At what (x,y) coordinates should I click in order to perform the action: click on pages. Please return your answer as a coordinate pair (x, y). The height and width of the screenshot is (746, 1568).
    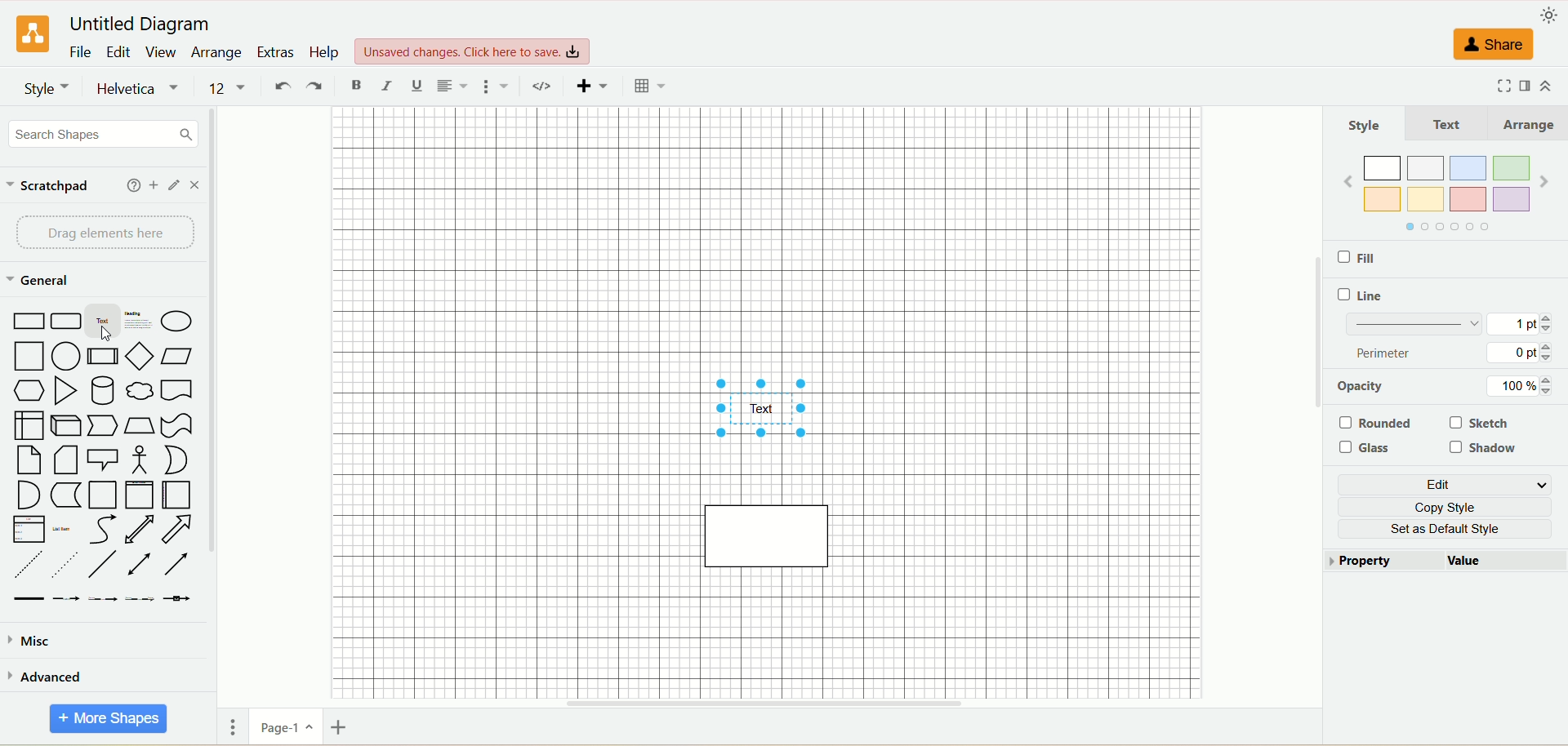
    Looking at the image, I should click on (229, 726).